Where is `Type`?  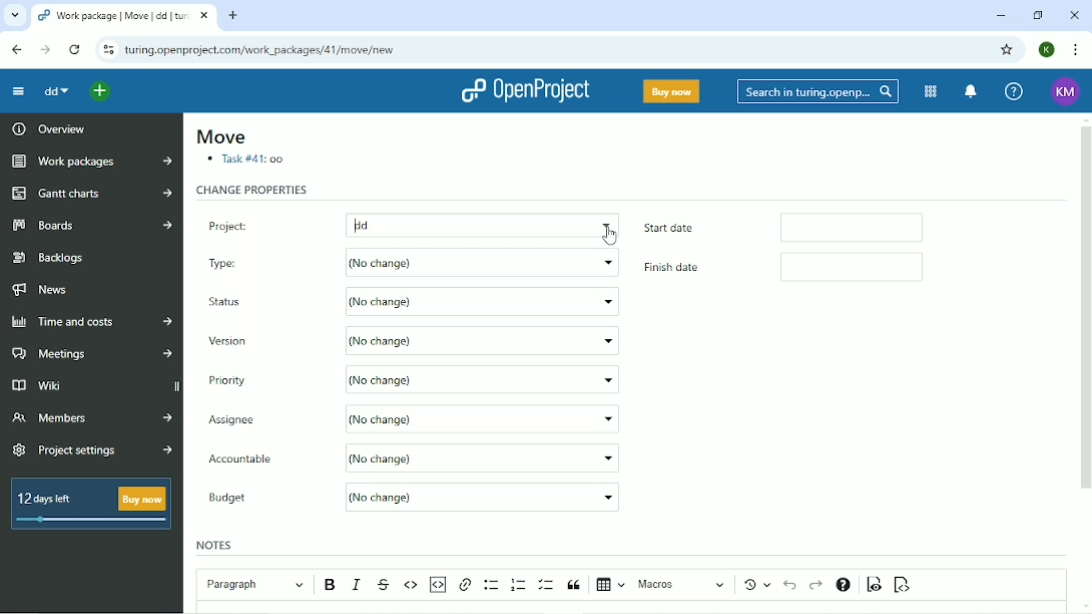
Type is located at coordinates (250, 261).